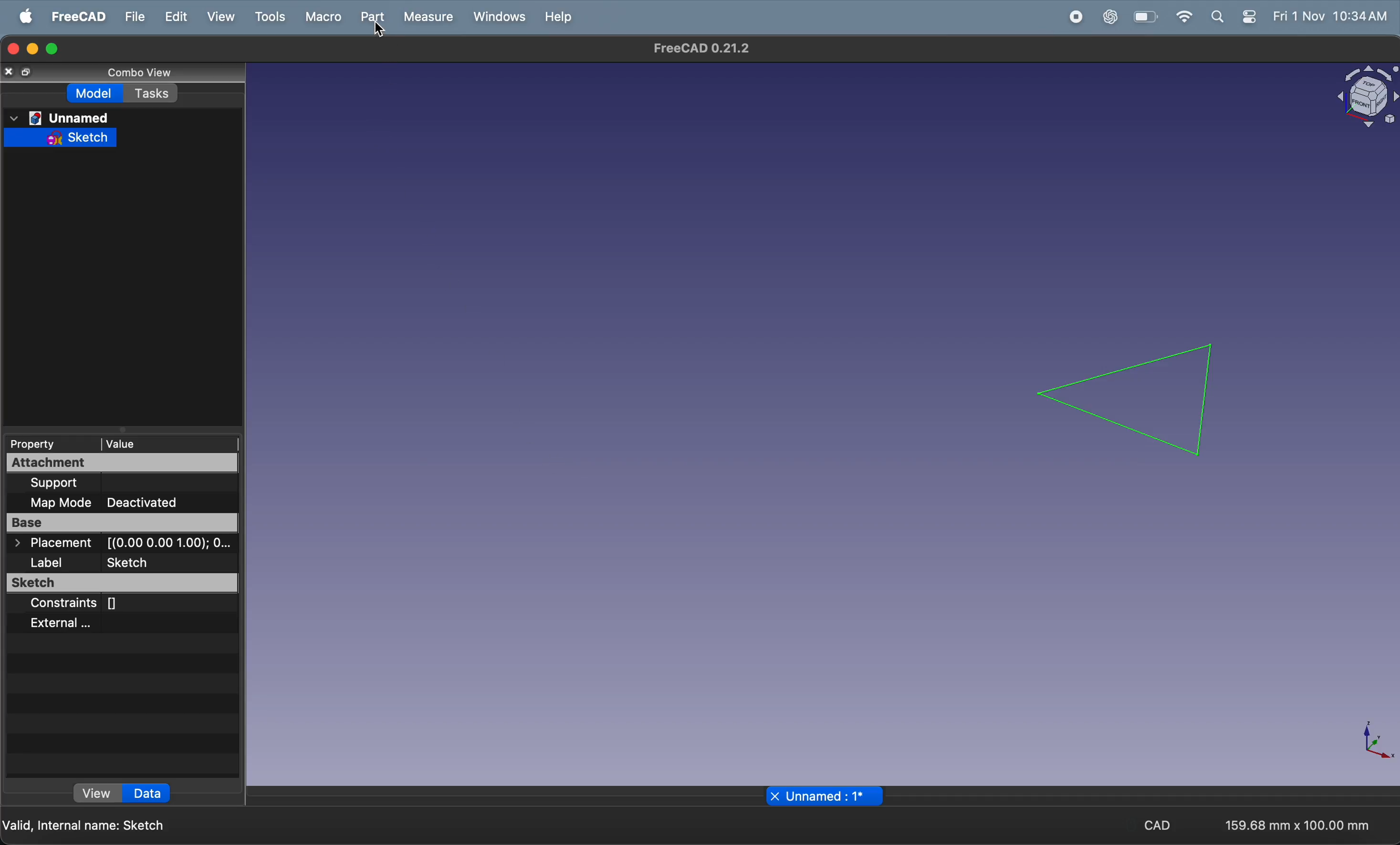 This screenshot has height=845, width=1400. I want to click on freecad, so click(78, 16).